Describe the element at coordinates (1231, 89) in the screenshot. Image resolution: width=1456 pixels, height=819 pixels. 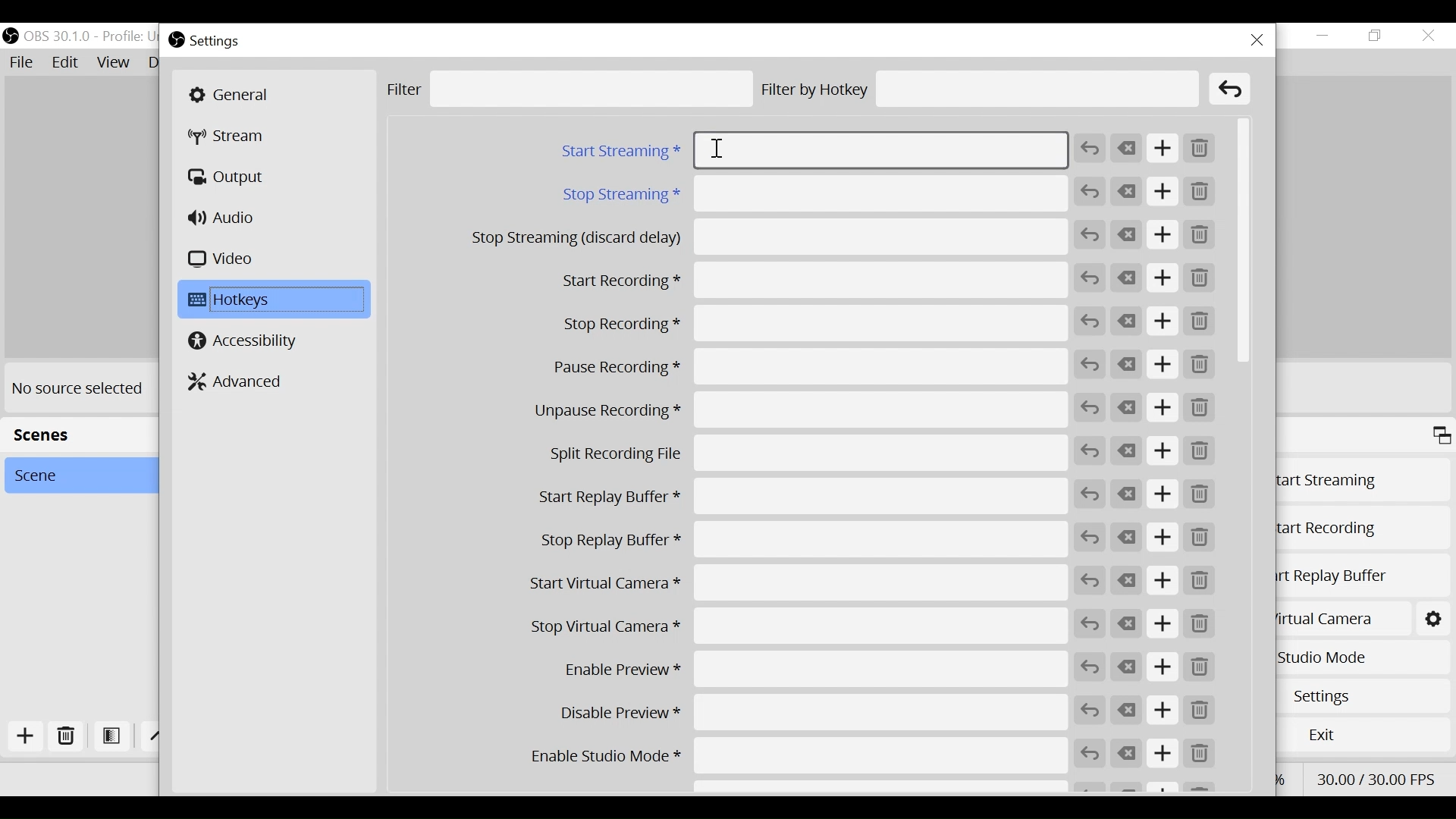
I see `Clear` at that location.